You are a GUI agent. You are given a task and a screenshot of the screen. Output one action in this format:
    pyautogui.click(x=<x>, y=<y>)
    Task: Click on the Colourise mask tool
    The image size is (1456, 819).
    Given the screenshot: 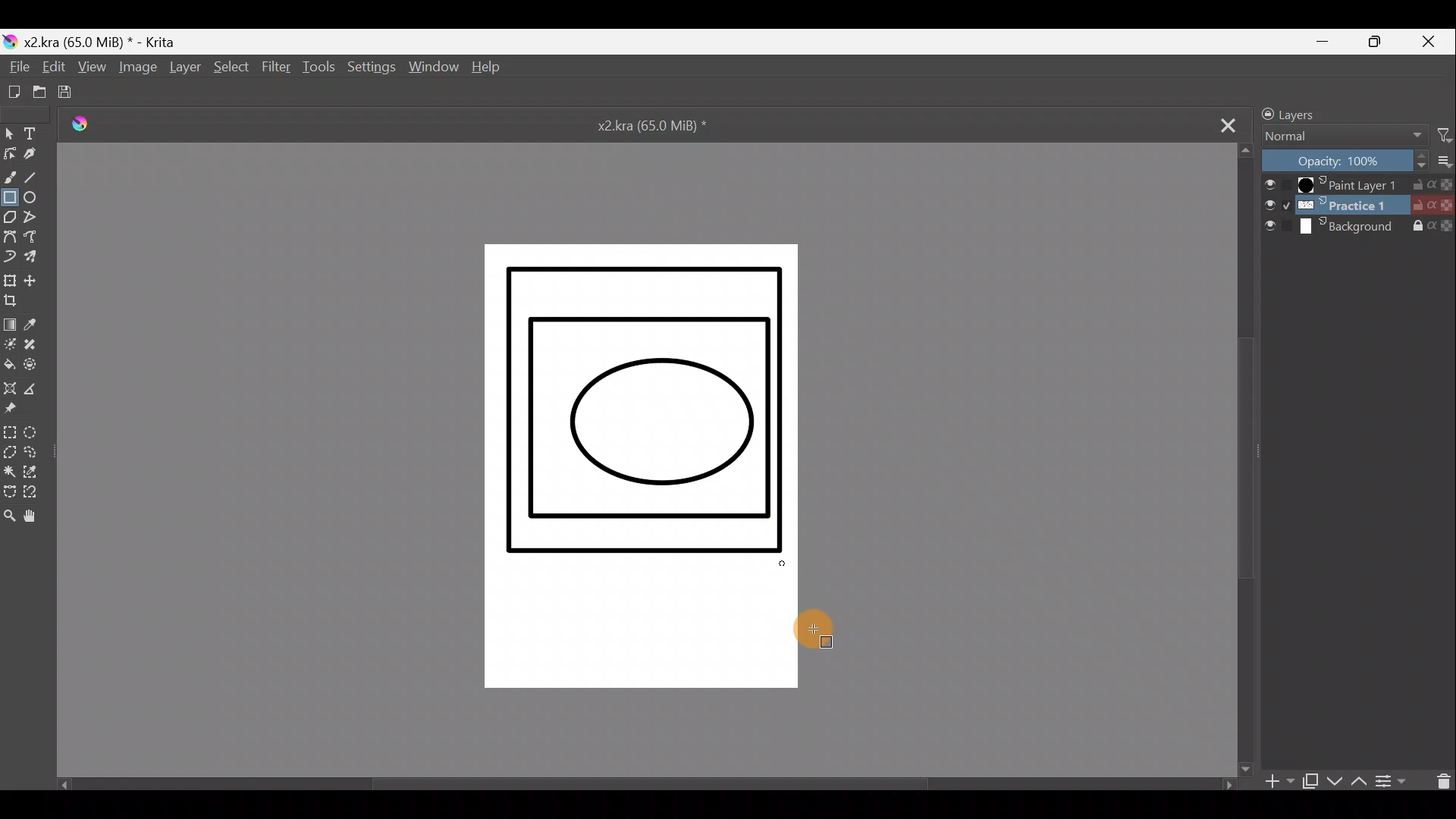 What is the action you would take?
    pyautogui.click(x=9, y=344)
    